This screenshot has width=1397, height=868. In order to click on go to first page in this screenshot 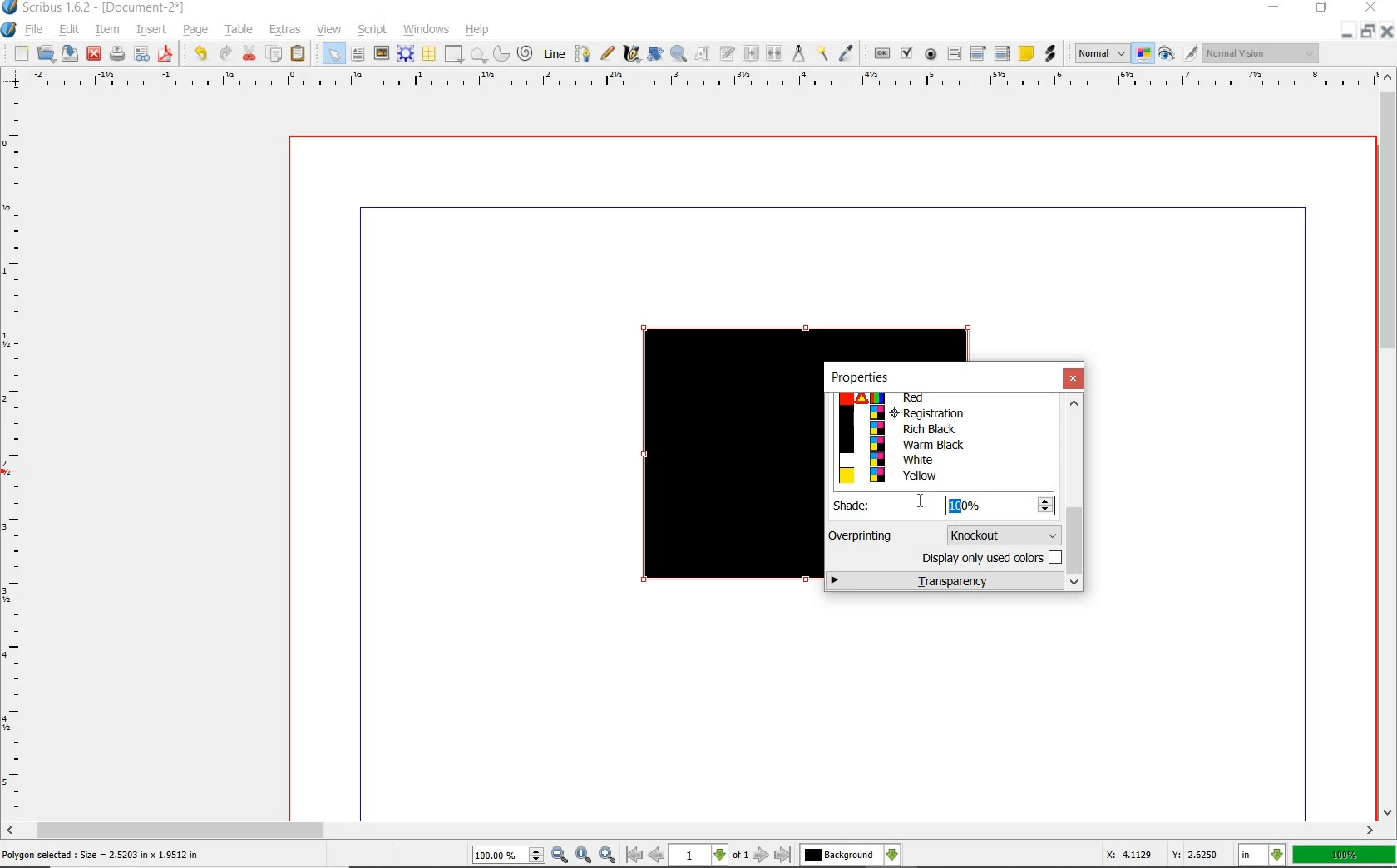, I will do `click(634, 856)`.